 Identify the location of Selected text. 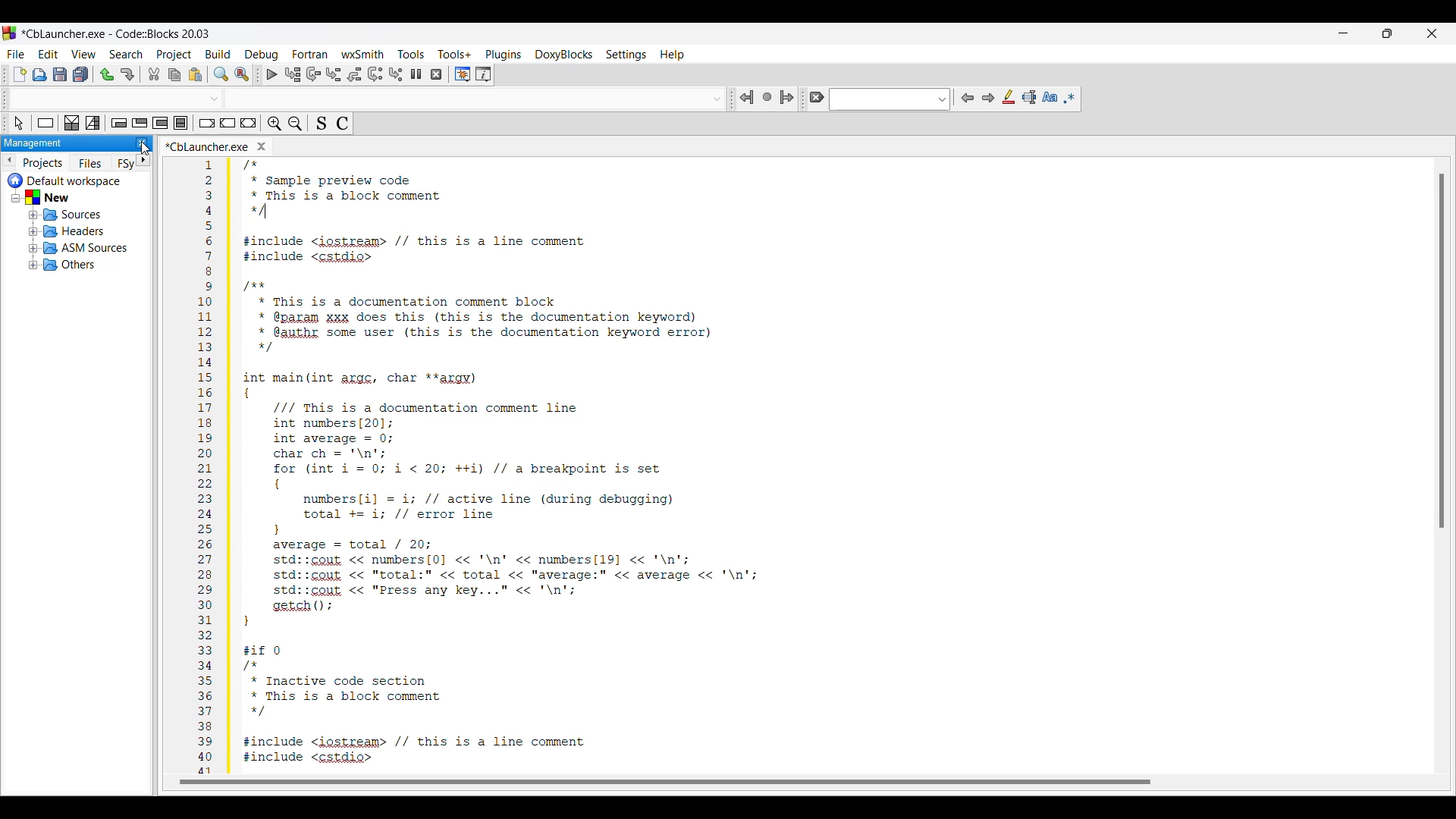
(1030, 97).